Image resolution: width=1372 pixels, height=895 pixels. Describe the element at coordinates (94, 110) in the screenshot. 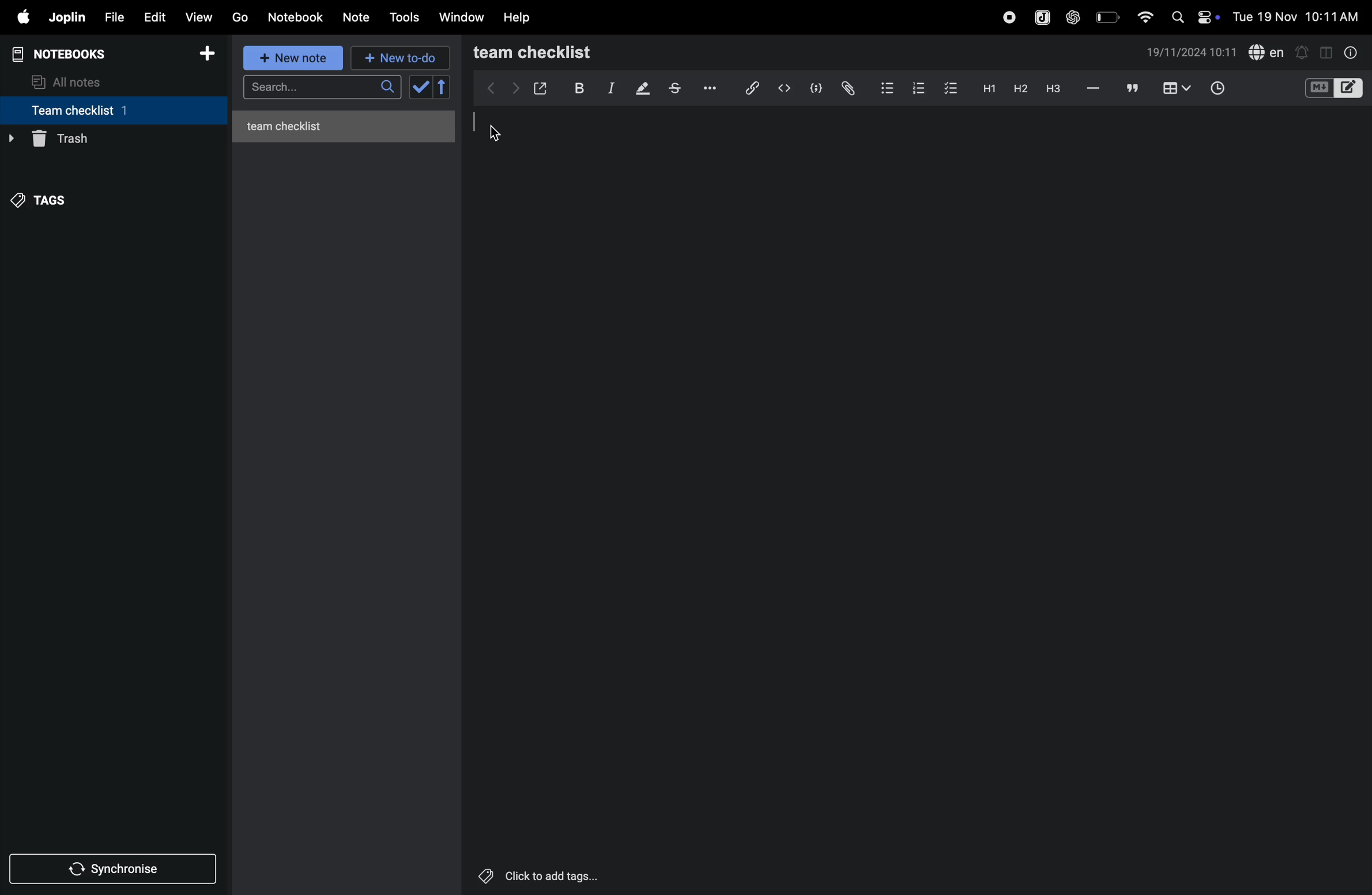

I see `team checklist` at that location.